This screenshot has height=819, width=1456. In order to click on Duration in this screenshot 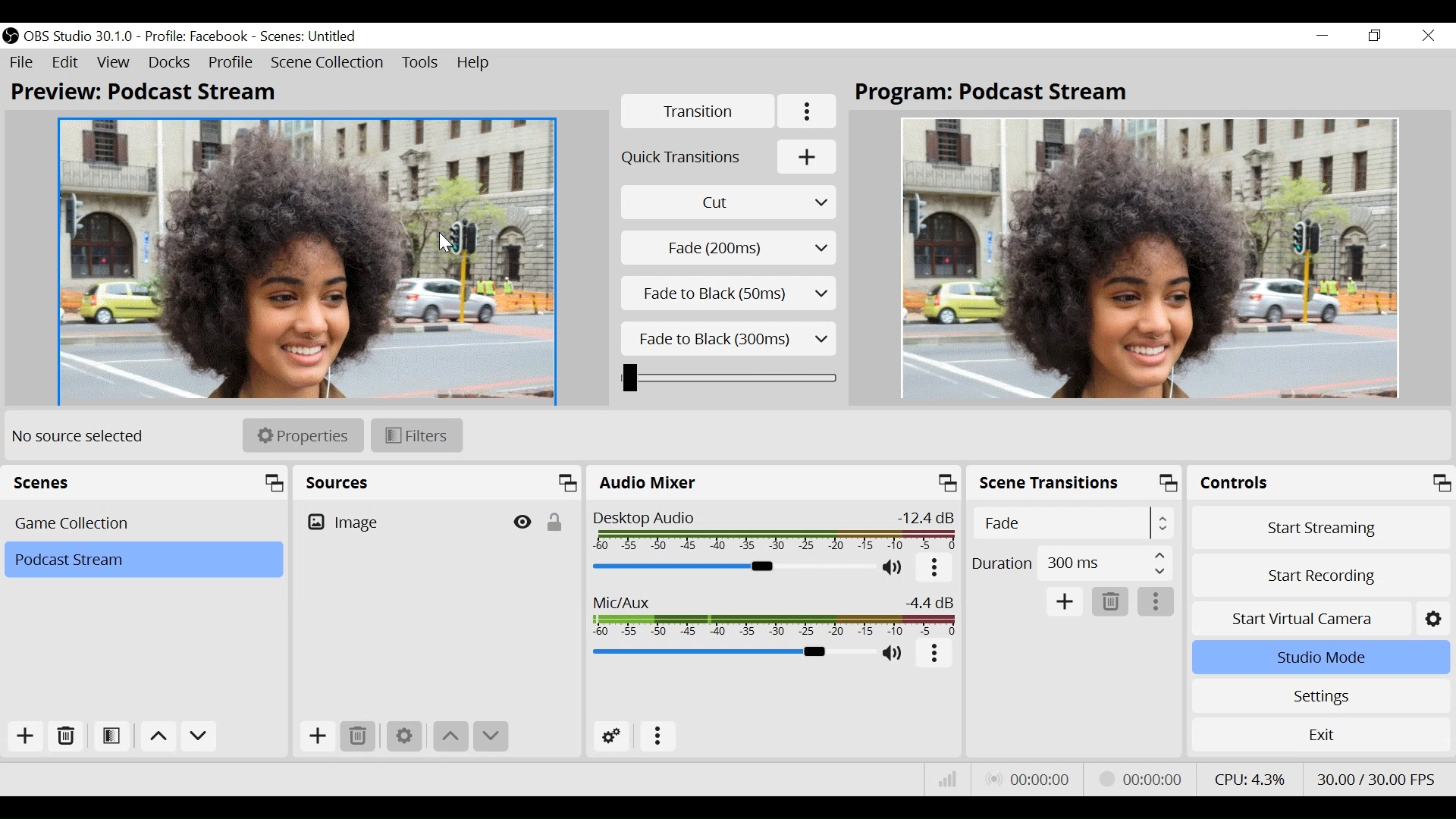, I will do `click(1073, 562)`.